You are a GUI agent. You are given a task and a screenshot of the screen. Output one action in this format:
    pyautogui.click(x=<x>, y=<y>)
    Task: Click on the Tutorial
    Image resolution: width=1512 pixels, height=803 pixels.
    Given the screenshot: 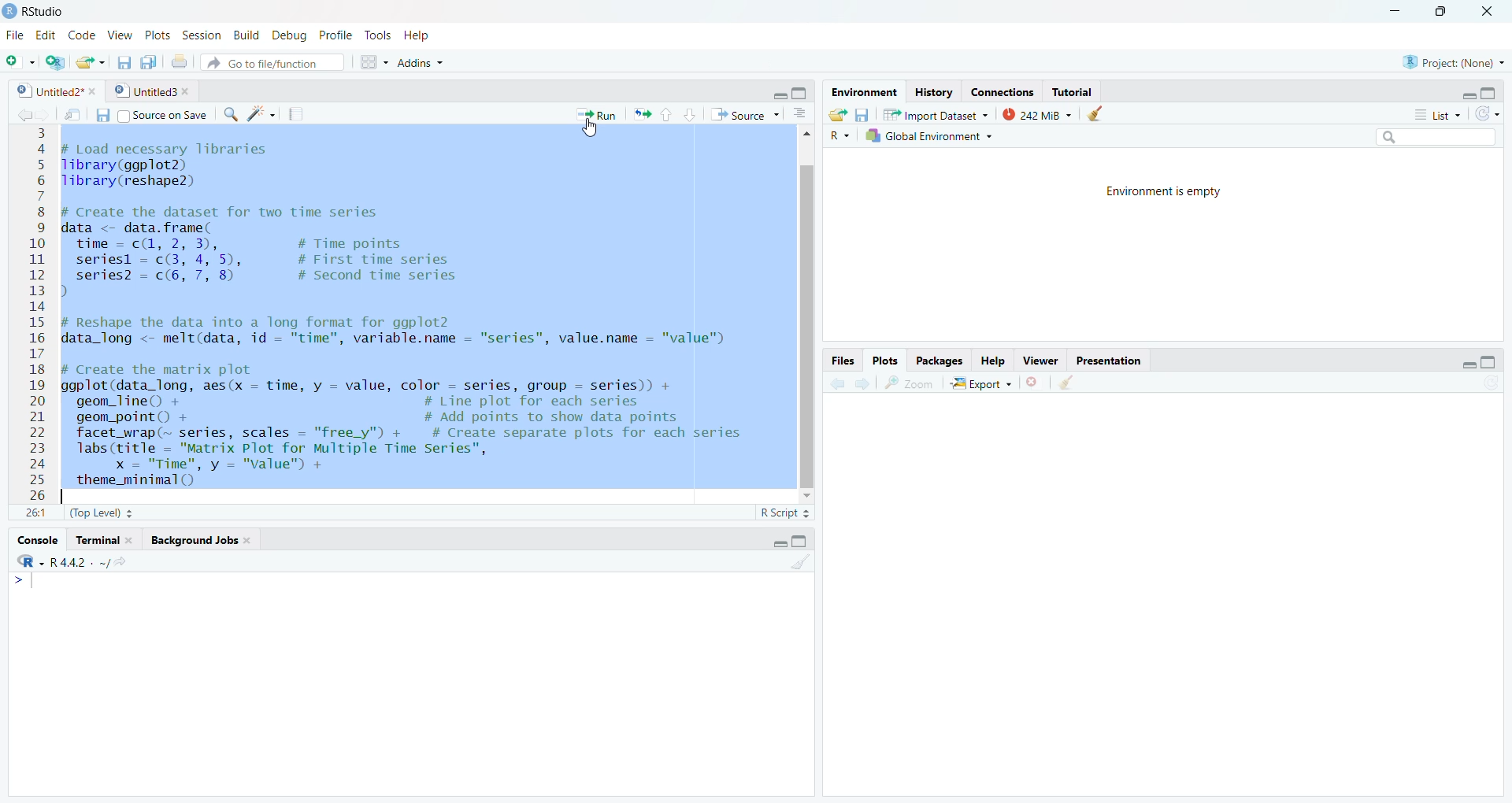 What is the action you would take?
    pyautogui.click(x=1073, y=92)
    